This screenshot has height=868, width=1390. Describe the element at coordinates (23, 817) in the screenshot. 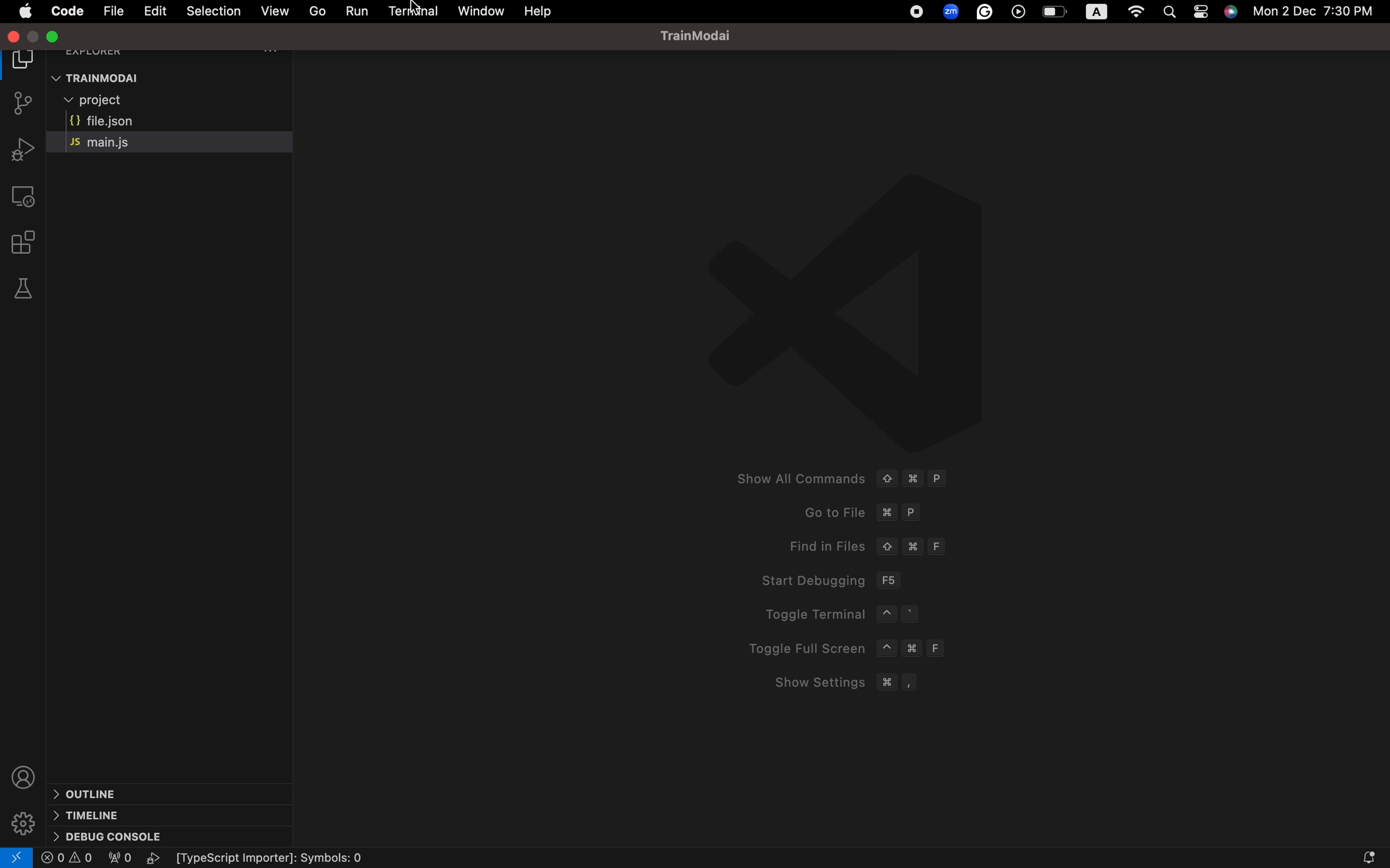

I see `setting` at that location.